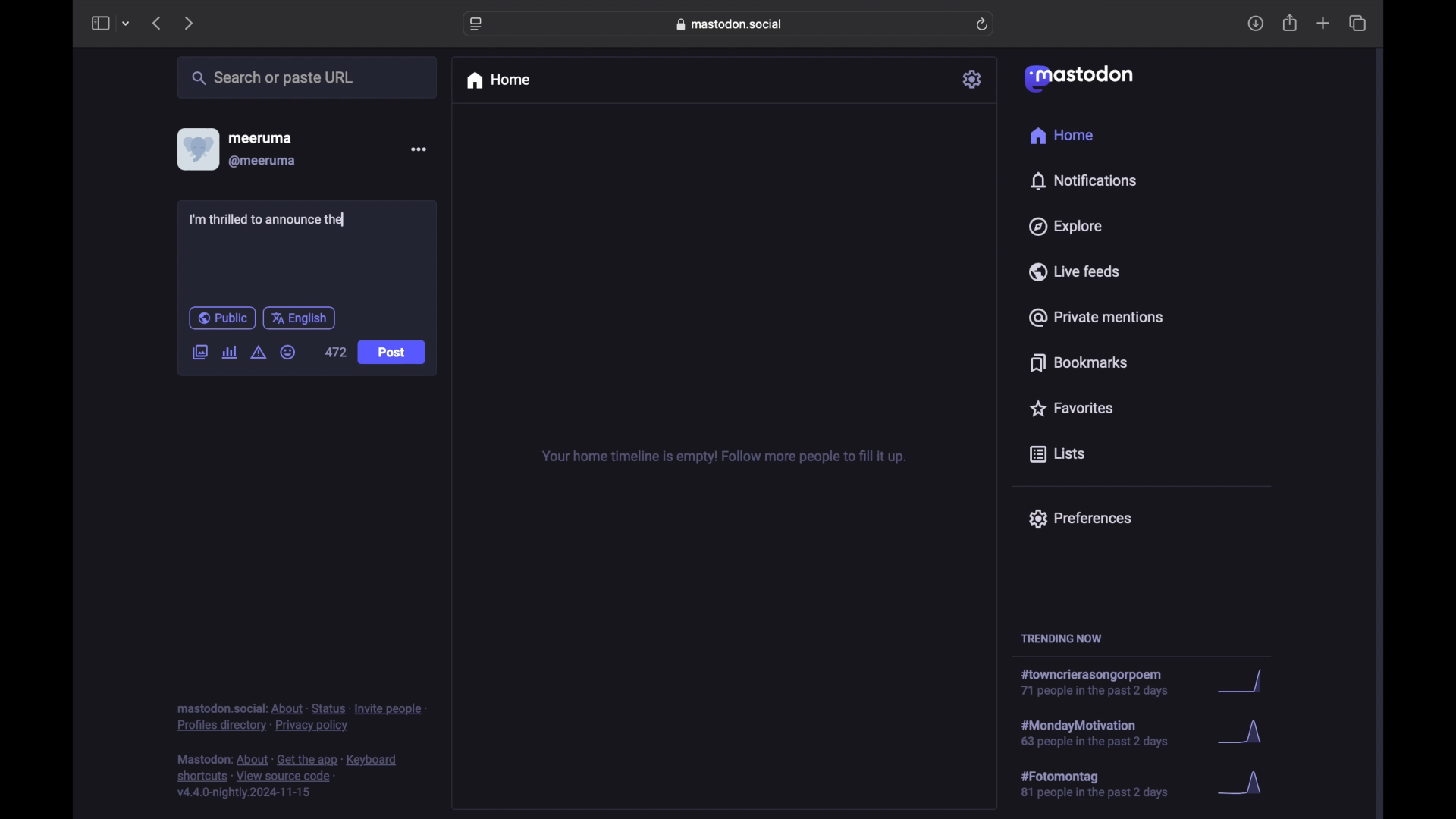 The width and height of the screenshot is (1456, 819). Describe the element at coordinates (1291, 23) in the screenshot. I see `share` at that location.